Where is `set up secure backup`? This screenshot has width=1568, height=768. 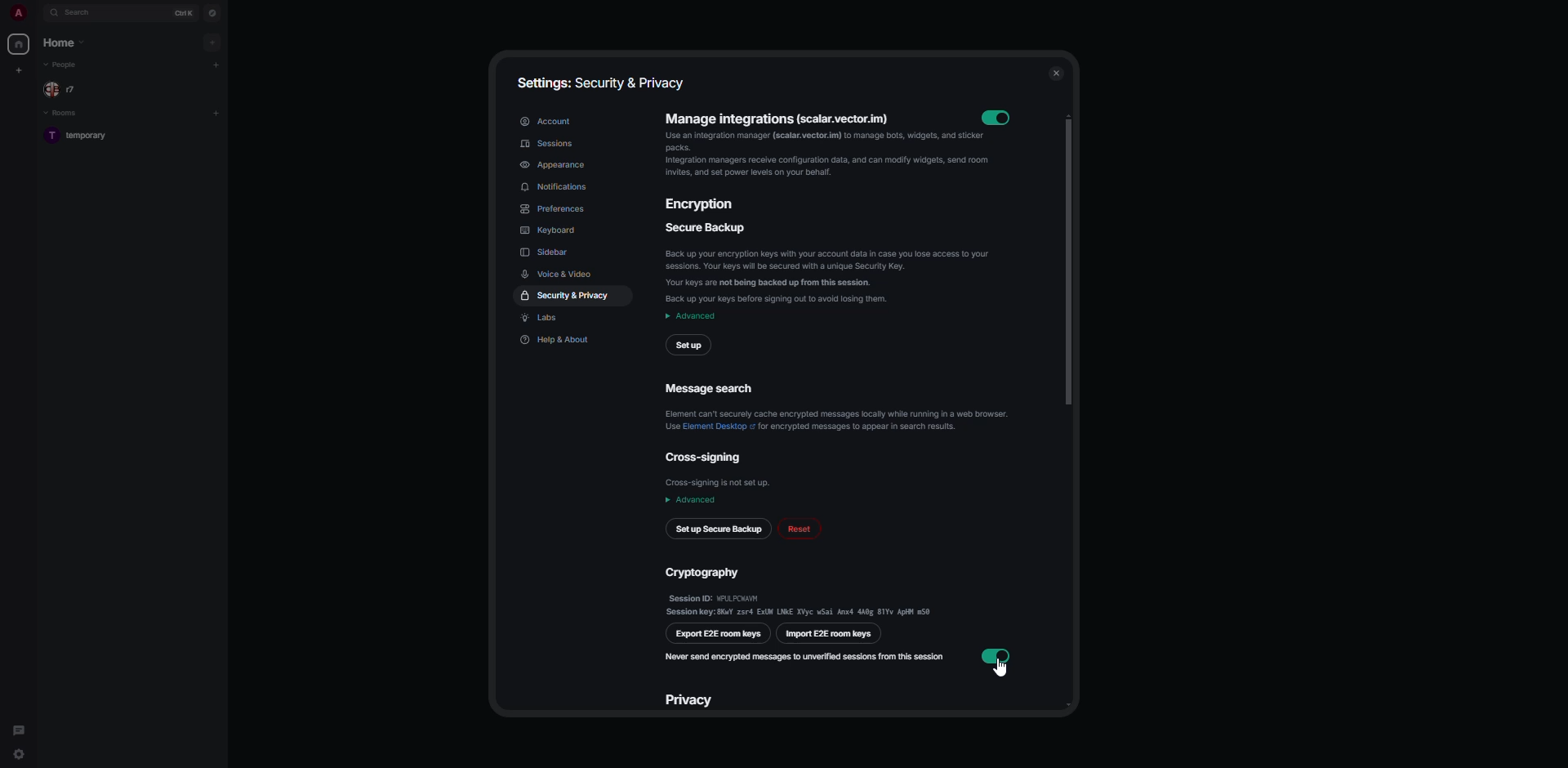 set up secure backup is located at coordinates (719, 530).